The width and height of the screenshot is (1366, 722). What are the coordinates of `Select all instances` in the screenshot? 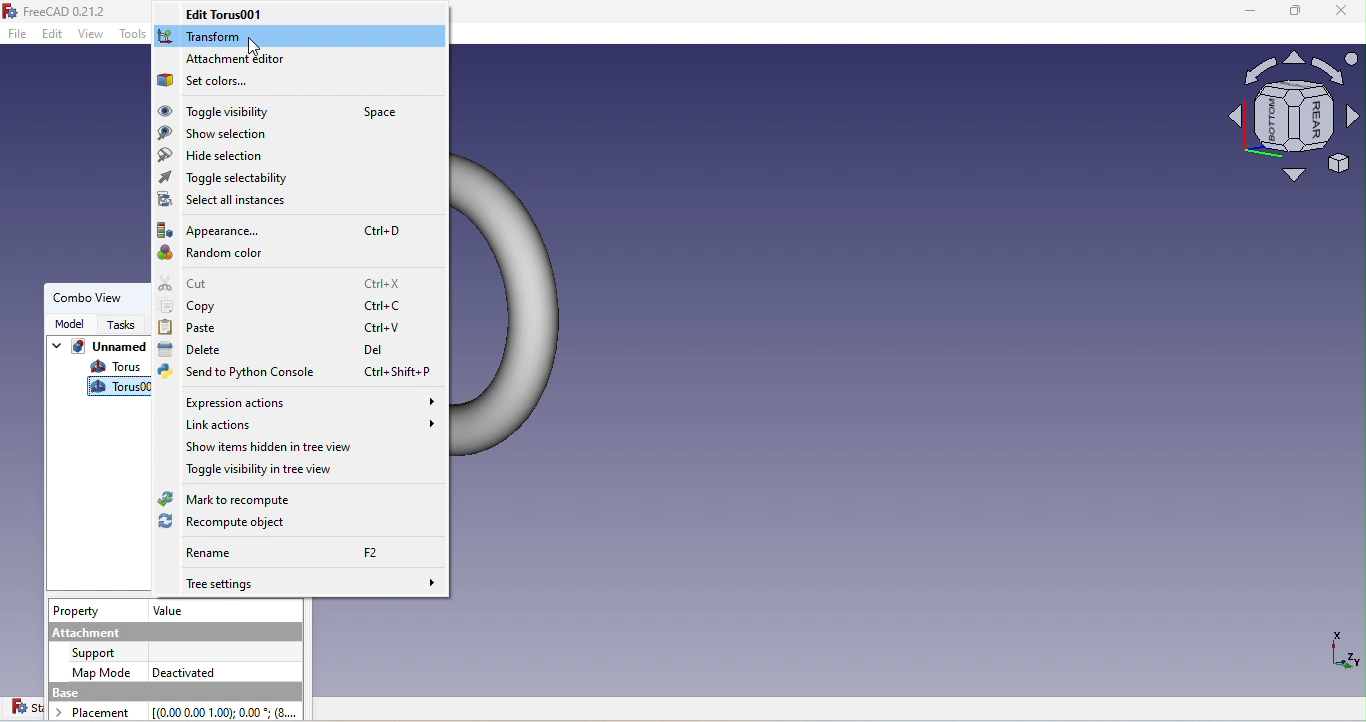 It's located at (227, 201).